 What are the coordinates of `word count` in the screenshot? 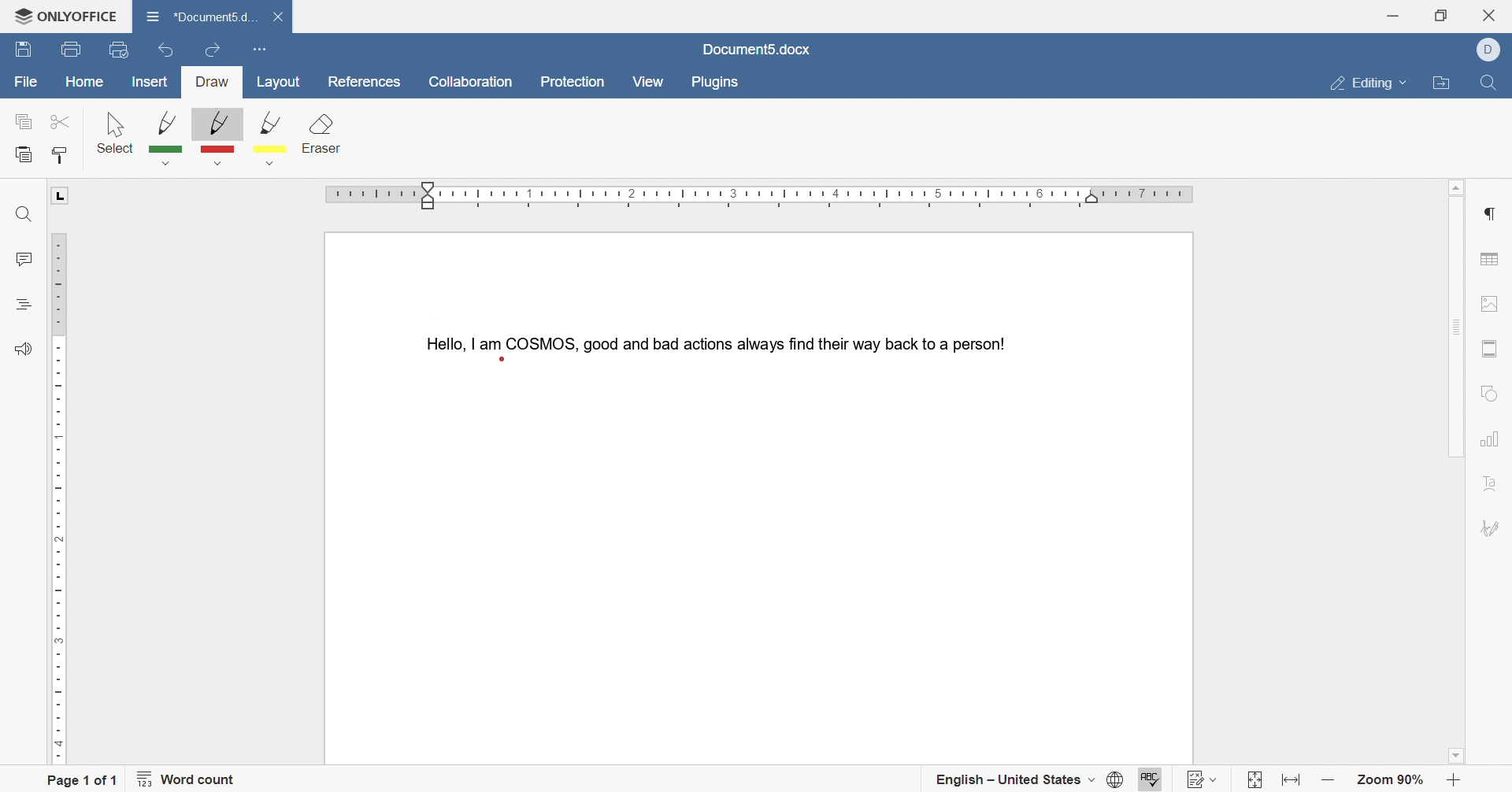 It's located at (192, 782).